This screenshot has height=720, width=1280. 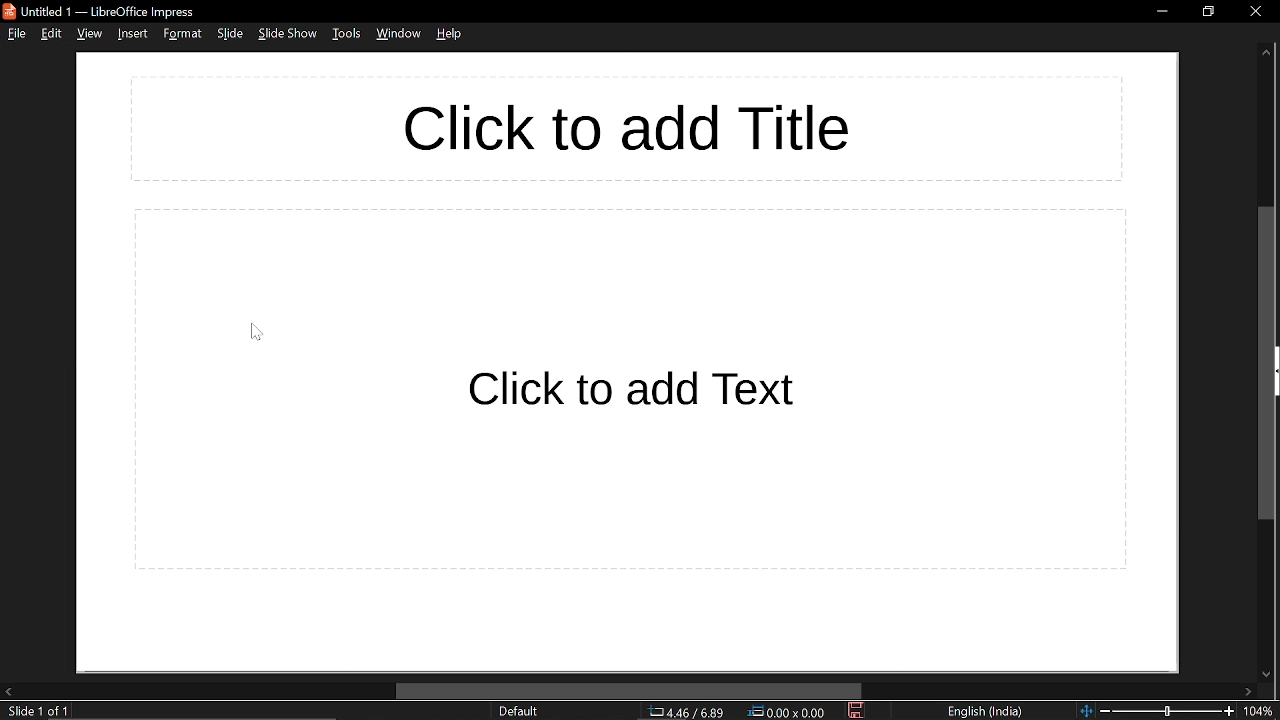 I want to click on space for text, so click(x=636, y=392).